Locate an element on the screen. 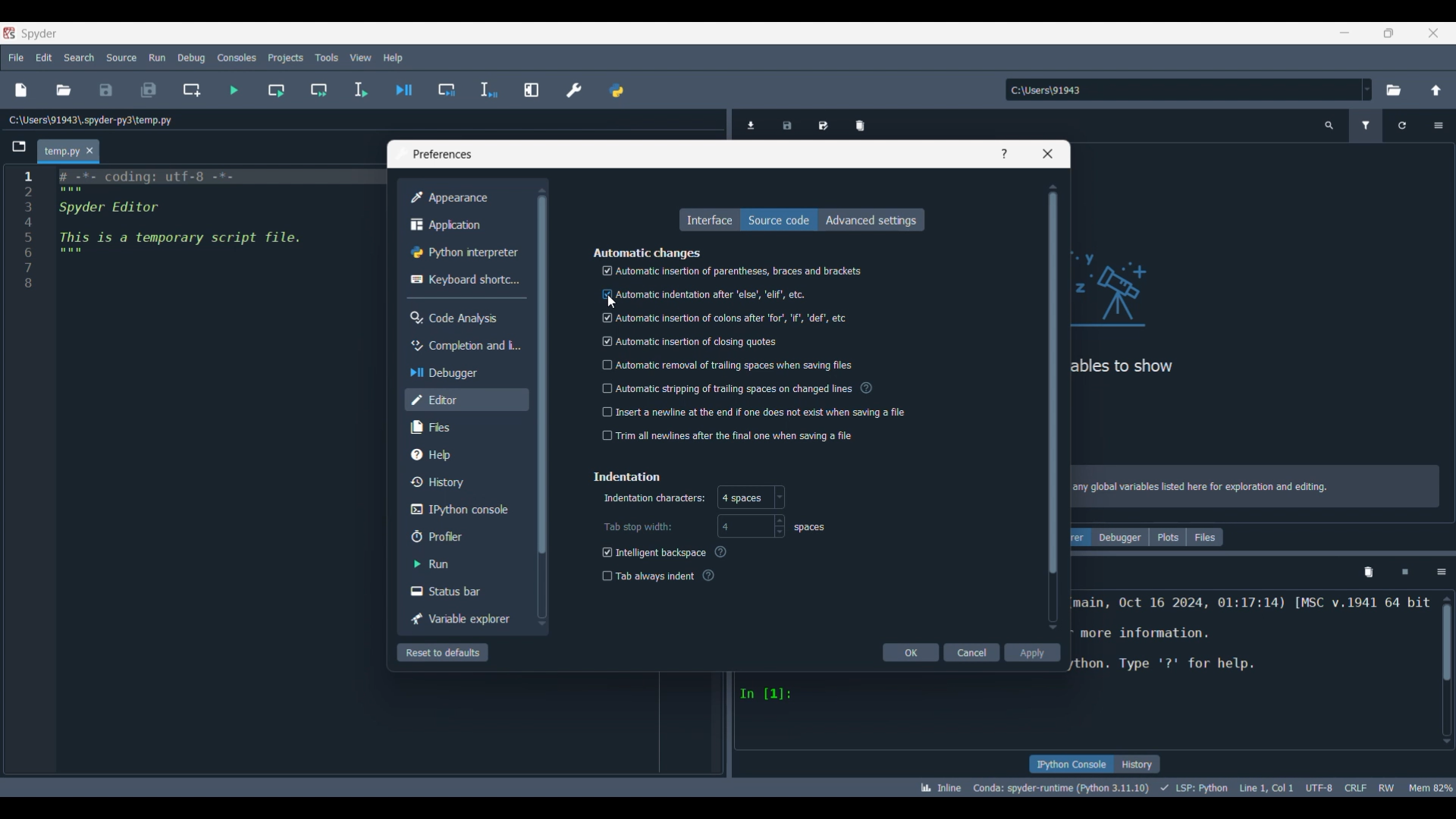  Change to parent directory is located at coordinates (1437, 90).